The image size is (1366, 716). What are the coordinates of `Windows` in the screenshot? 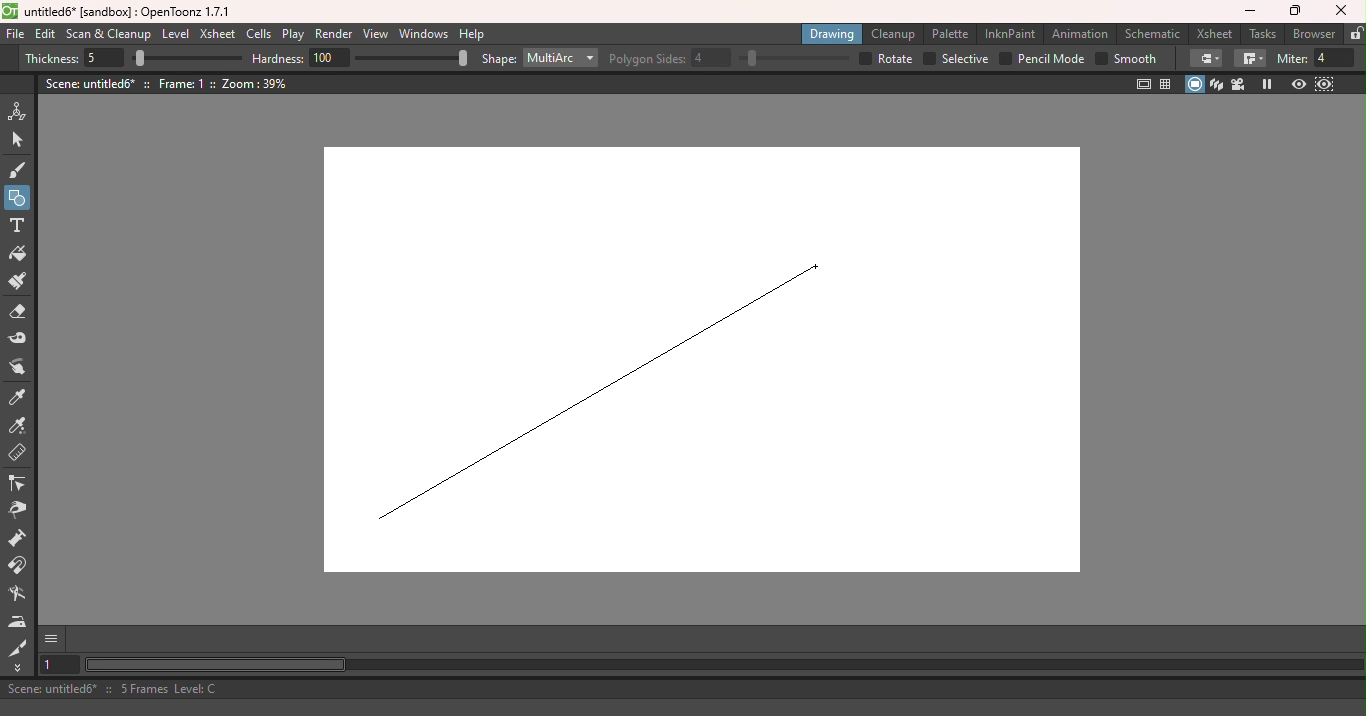 It's located at (424, 34).